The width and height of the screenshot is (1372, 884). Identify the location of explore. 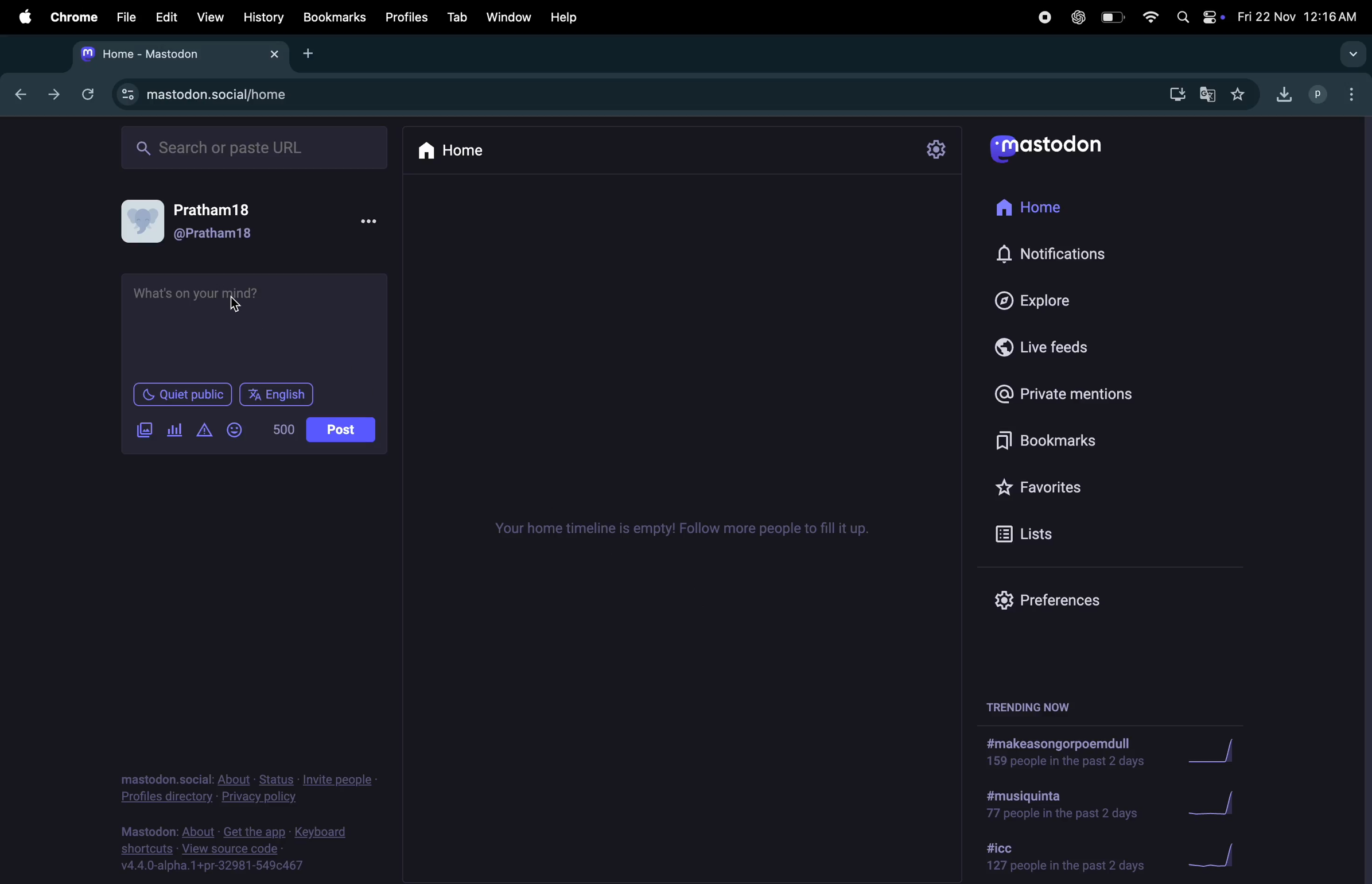
(1030, 298).